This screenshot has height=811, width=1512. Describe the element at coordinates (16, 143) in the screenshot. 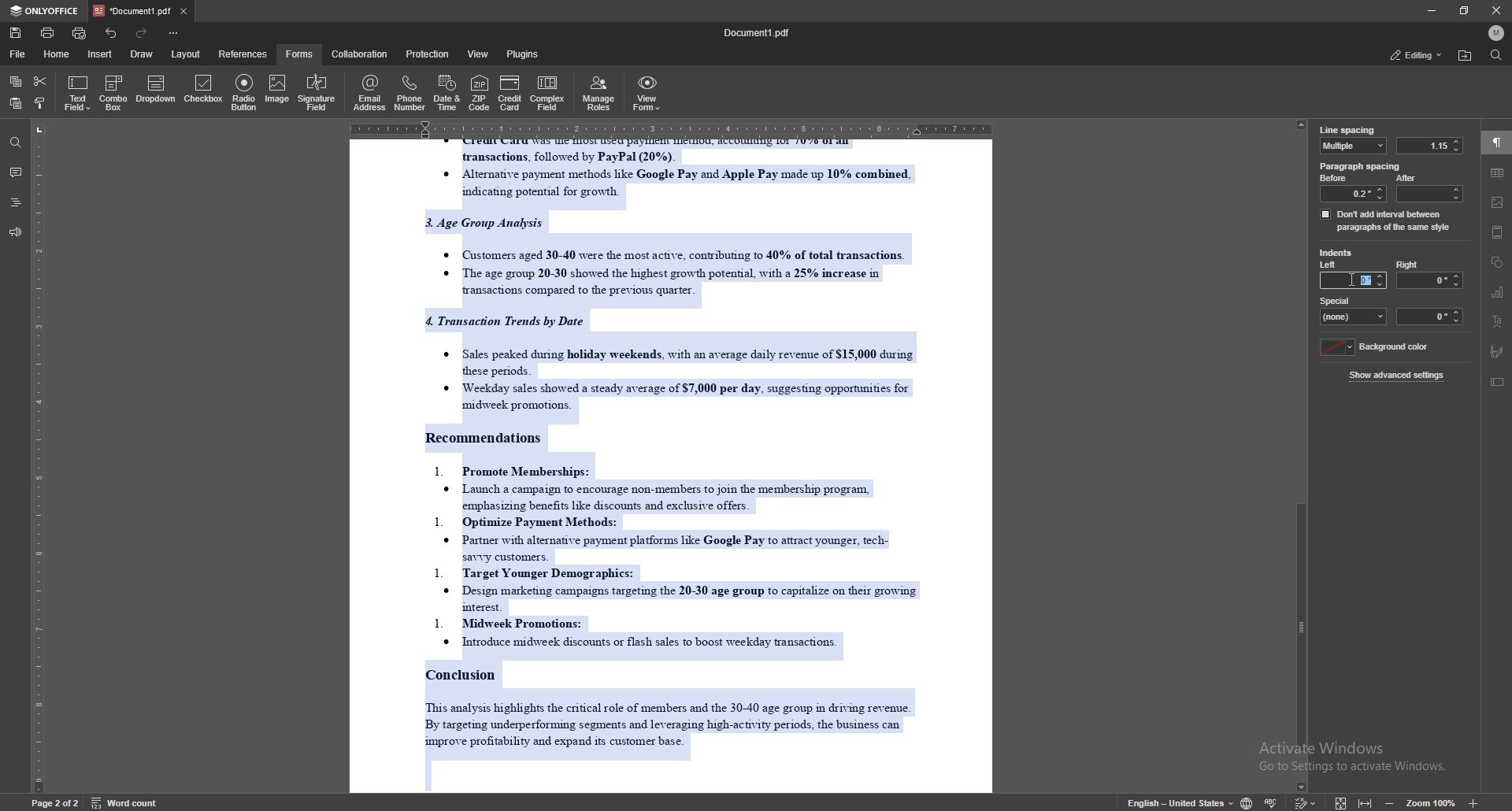

I see `find` at that location.